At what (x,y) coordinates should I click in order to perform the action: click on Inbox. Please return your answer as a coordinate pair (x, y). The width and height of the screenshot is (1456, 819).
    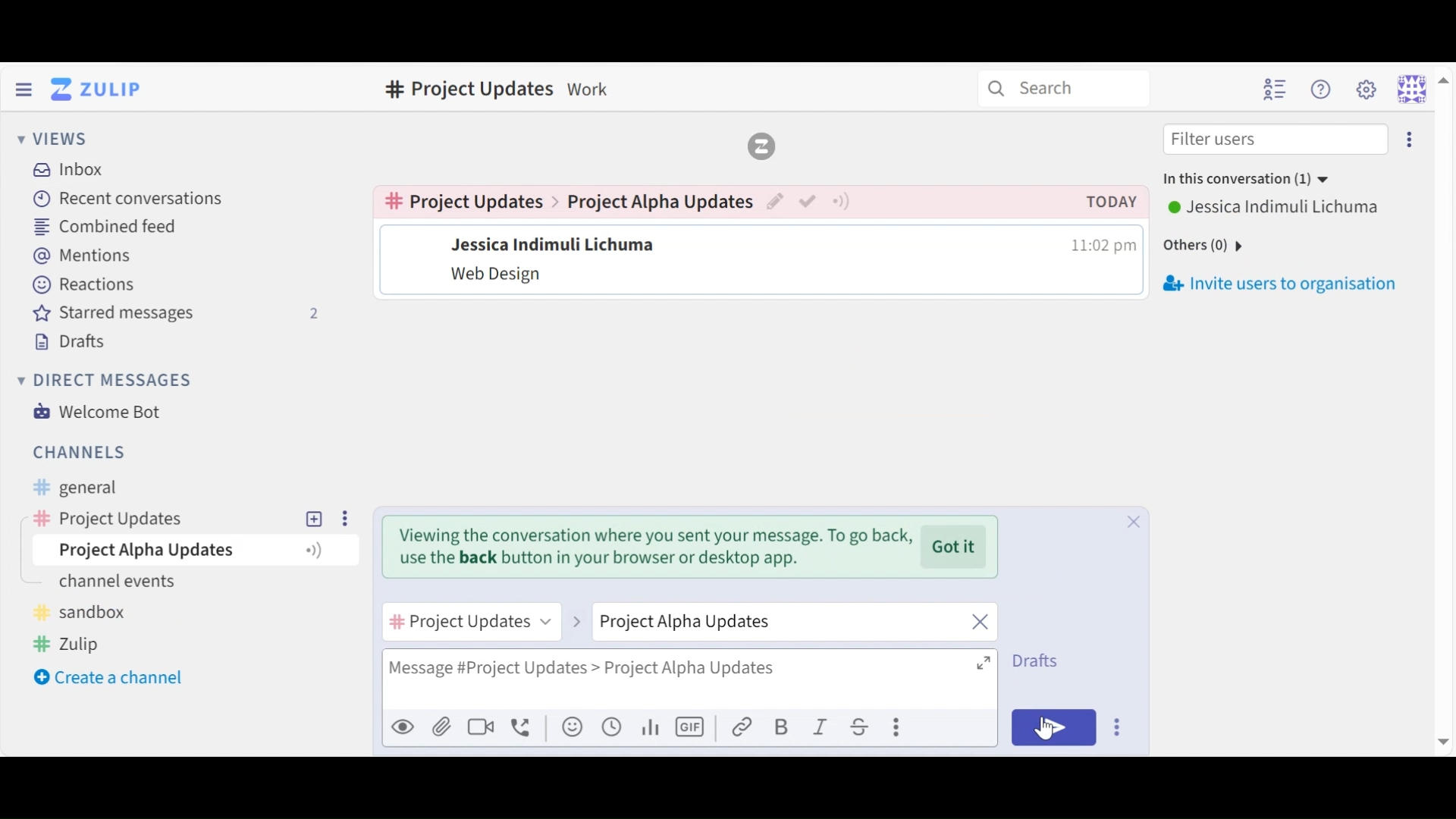
    Looking at the image, I should click on (71, 171).